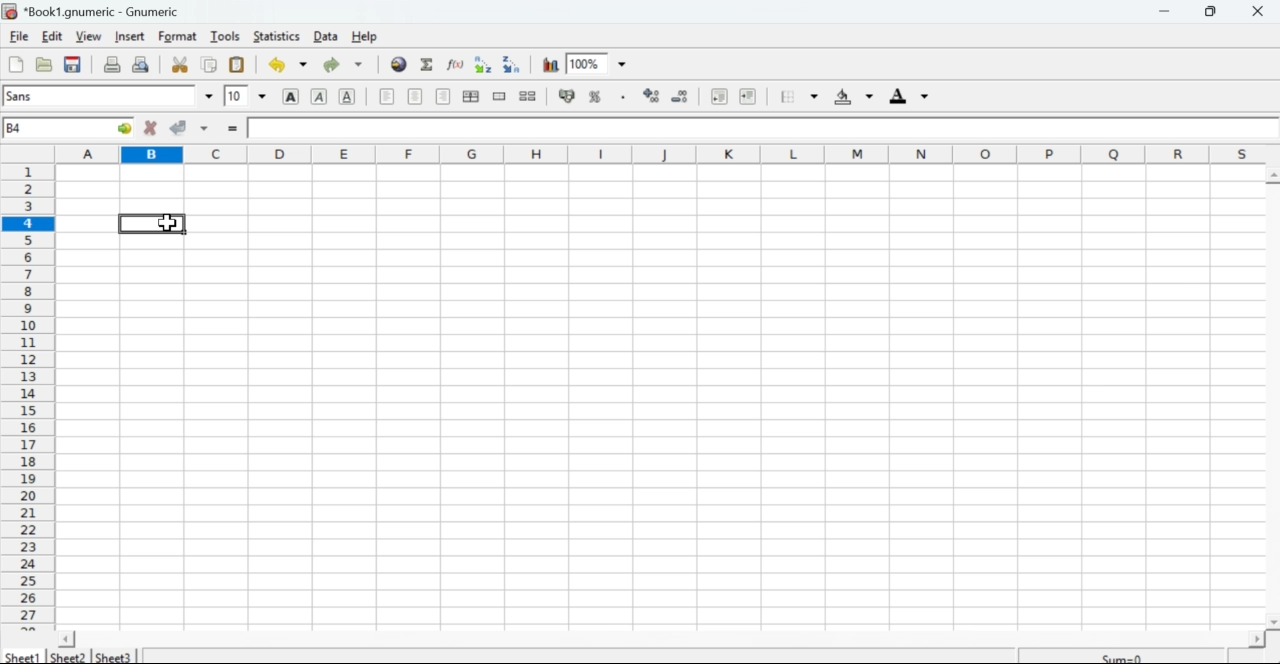 The image size is (1280, 664). I want to click on Split cells , so click(529, 96).